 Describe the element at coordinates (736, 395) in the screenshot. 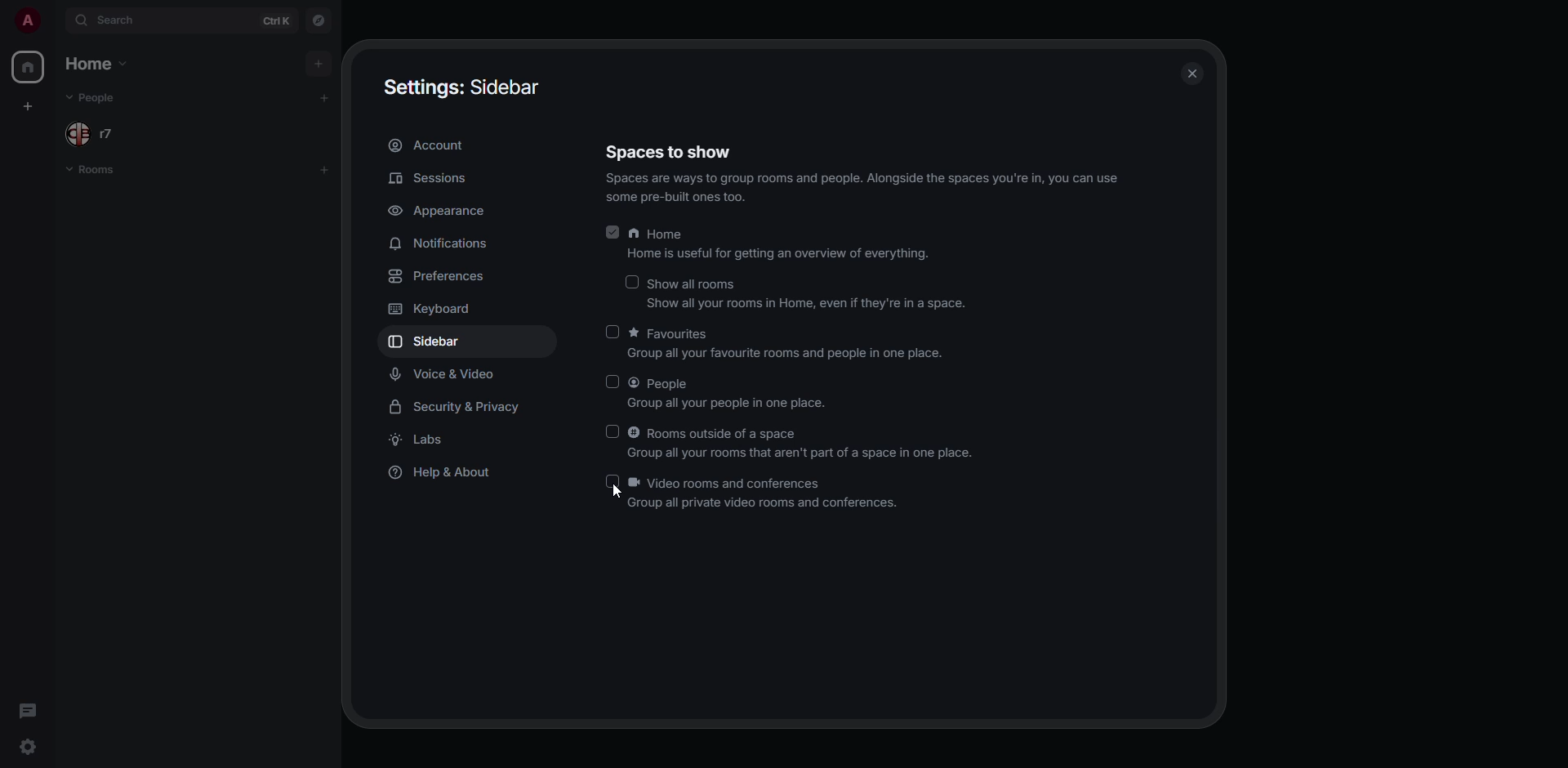

I see `@ People
Group all your people in one place.` at that location.